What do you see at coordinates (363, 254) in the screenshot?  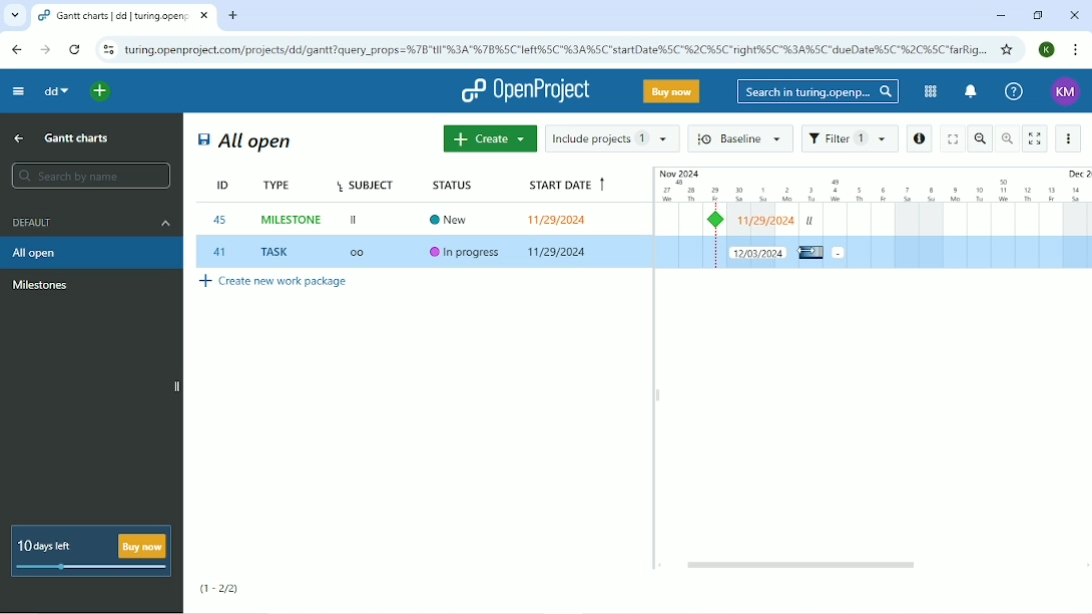 I see `OO` at bounding box center [363, 254].